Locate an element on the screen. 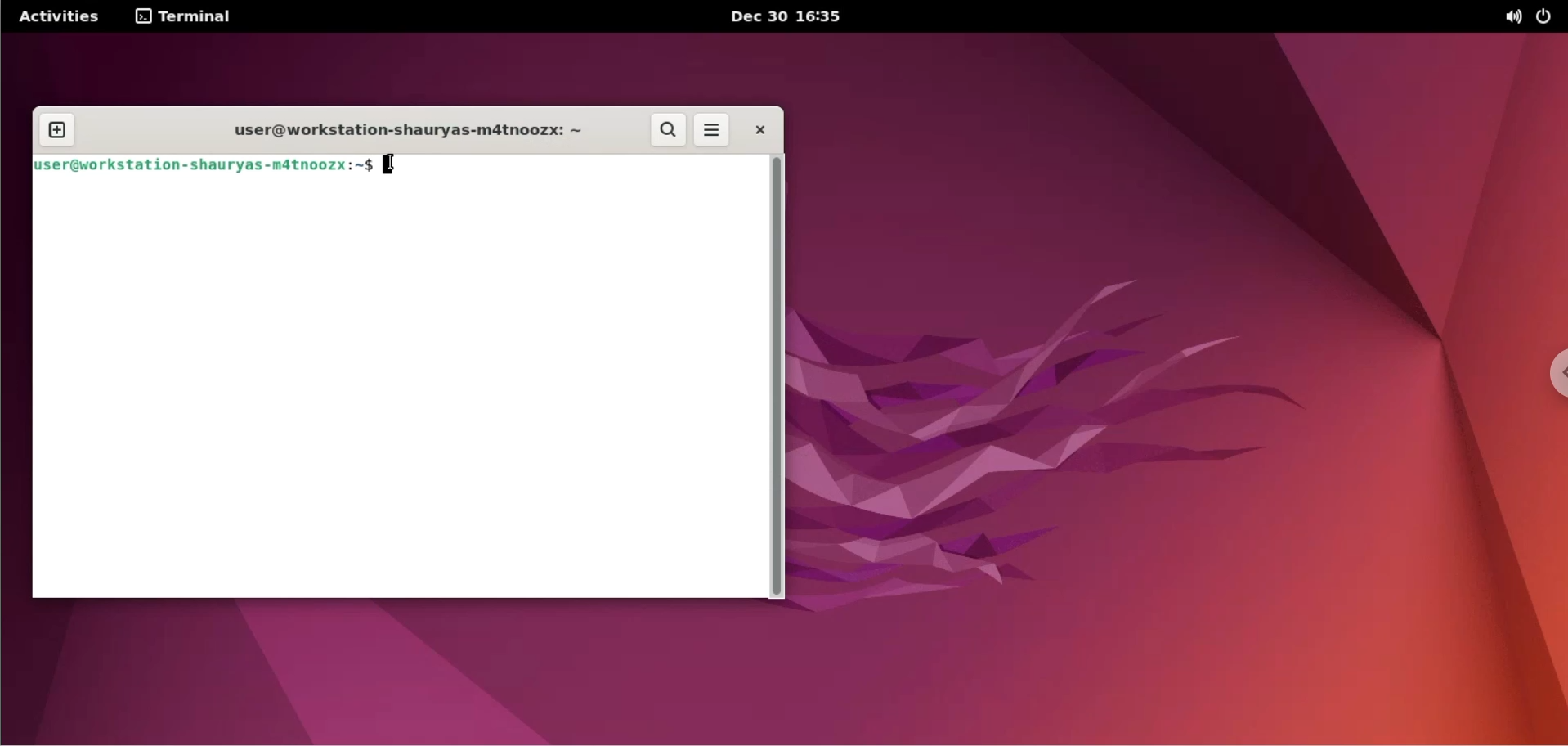  command input box is located at coordinates (398, 393).